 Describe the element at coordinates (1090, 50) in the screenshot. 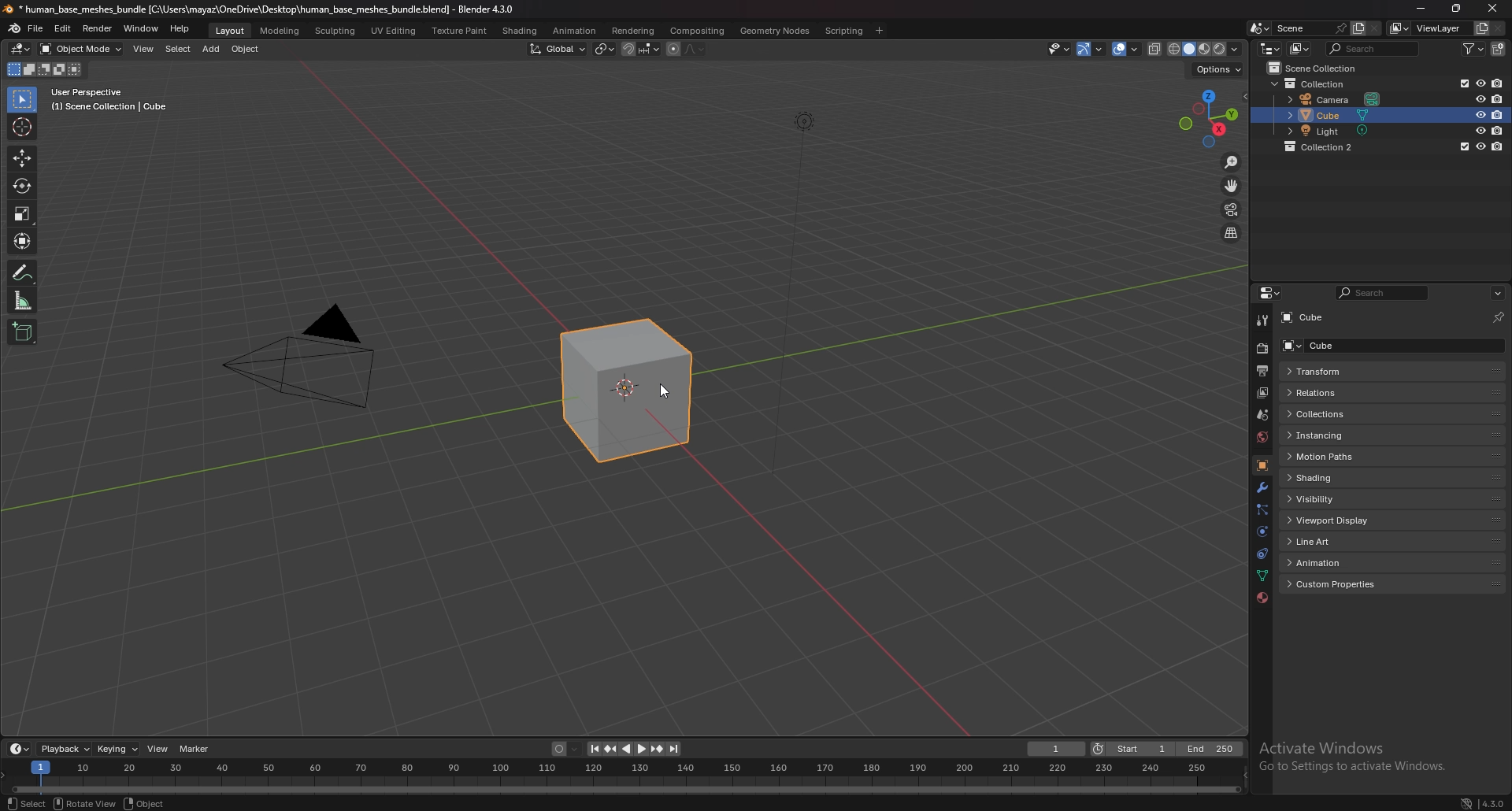

I see `show gizmo` at that location.